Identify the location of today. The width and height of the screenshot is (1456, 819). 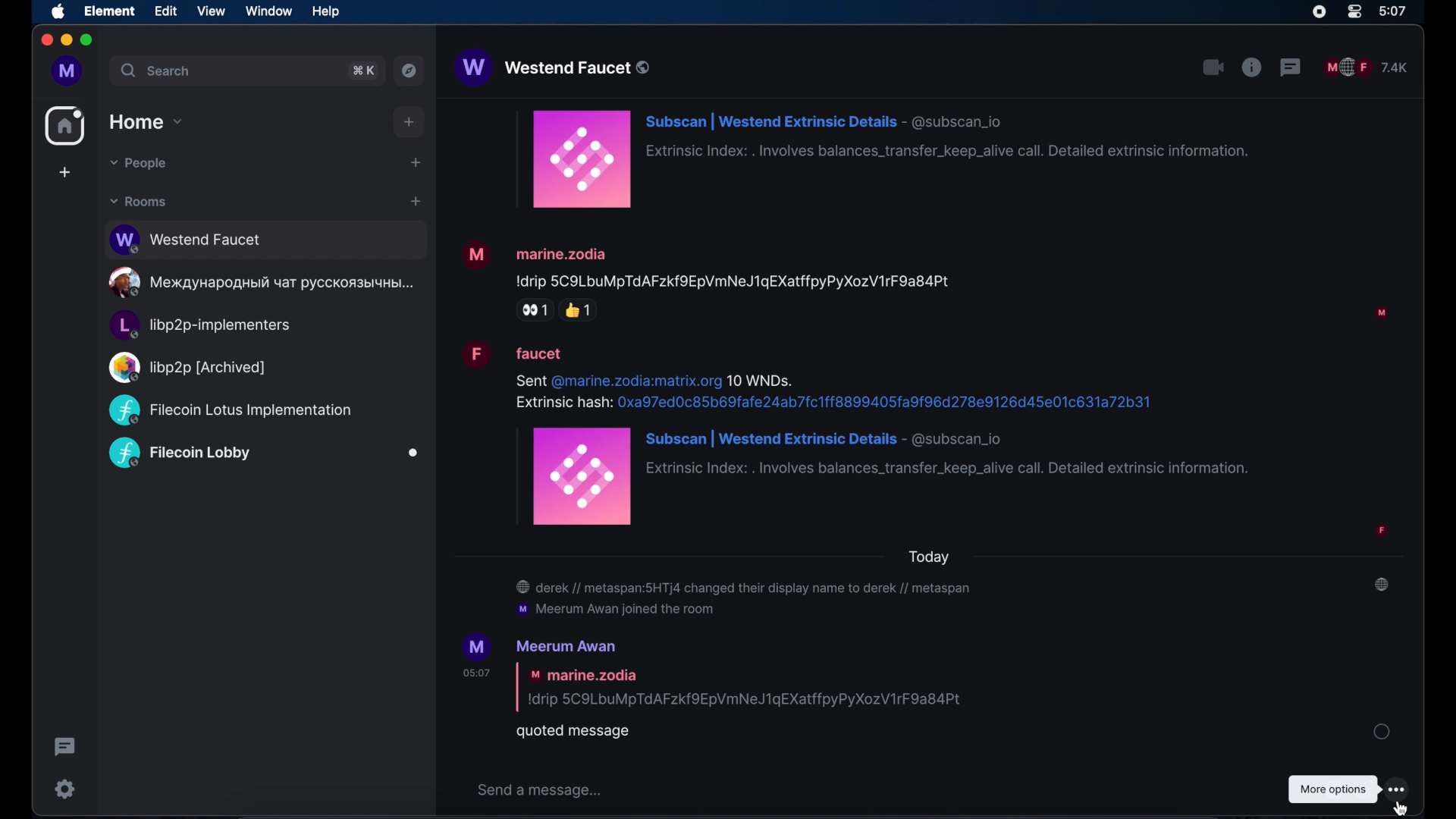
(931, 557).